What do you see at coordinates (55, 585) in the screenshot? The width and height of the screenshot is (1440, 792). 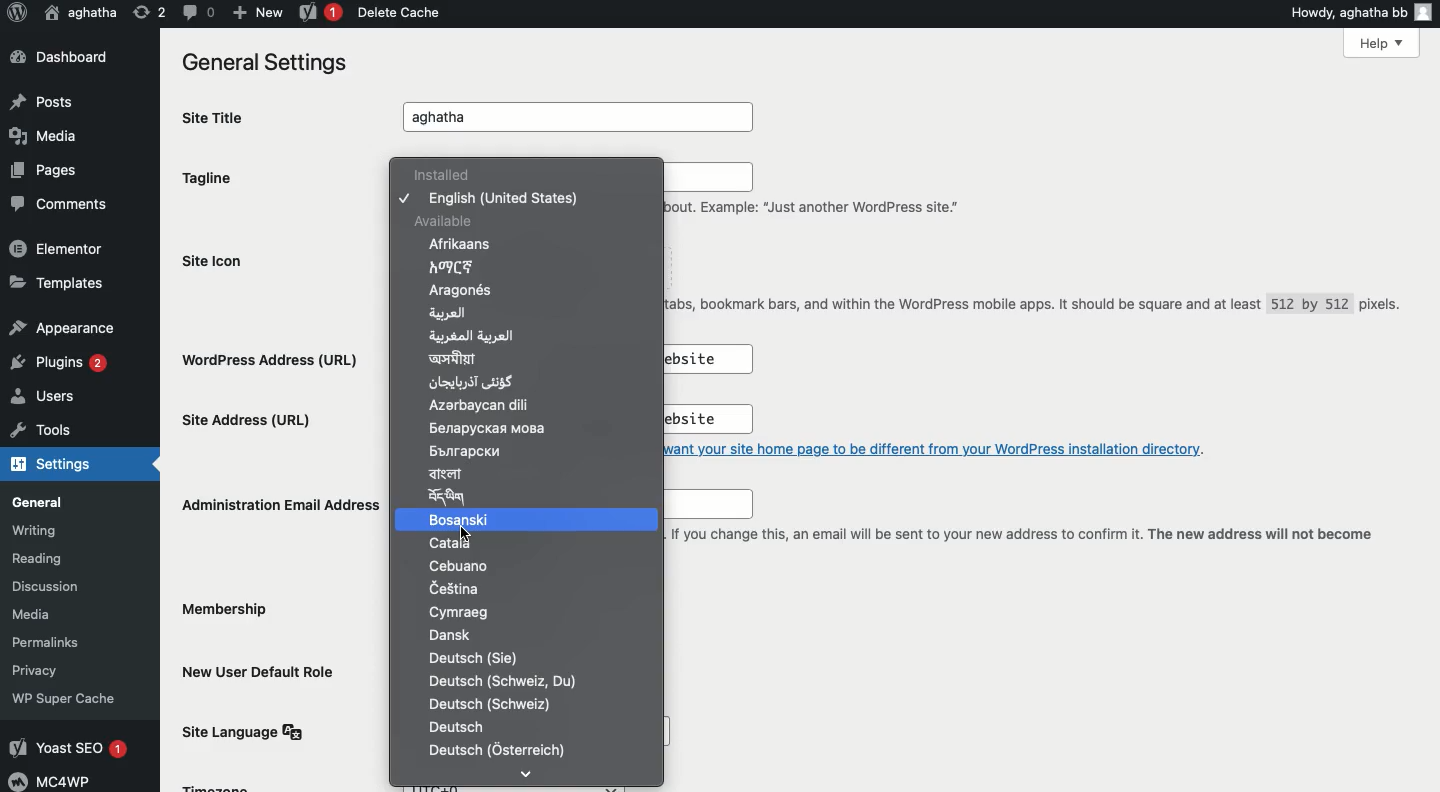 I see `Discussion` at bounding box center [55, 585].